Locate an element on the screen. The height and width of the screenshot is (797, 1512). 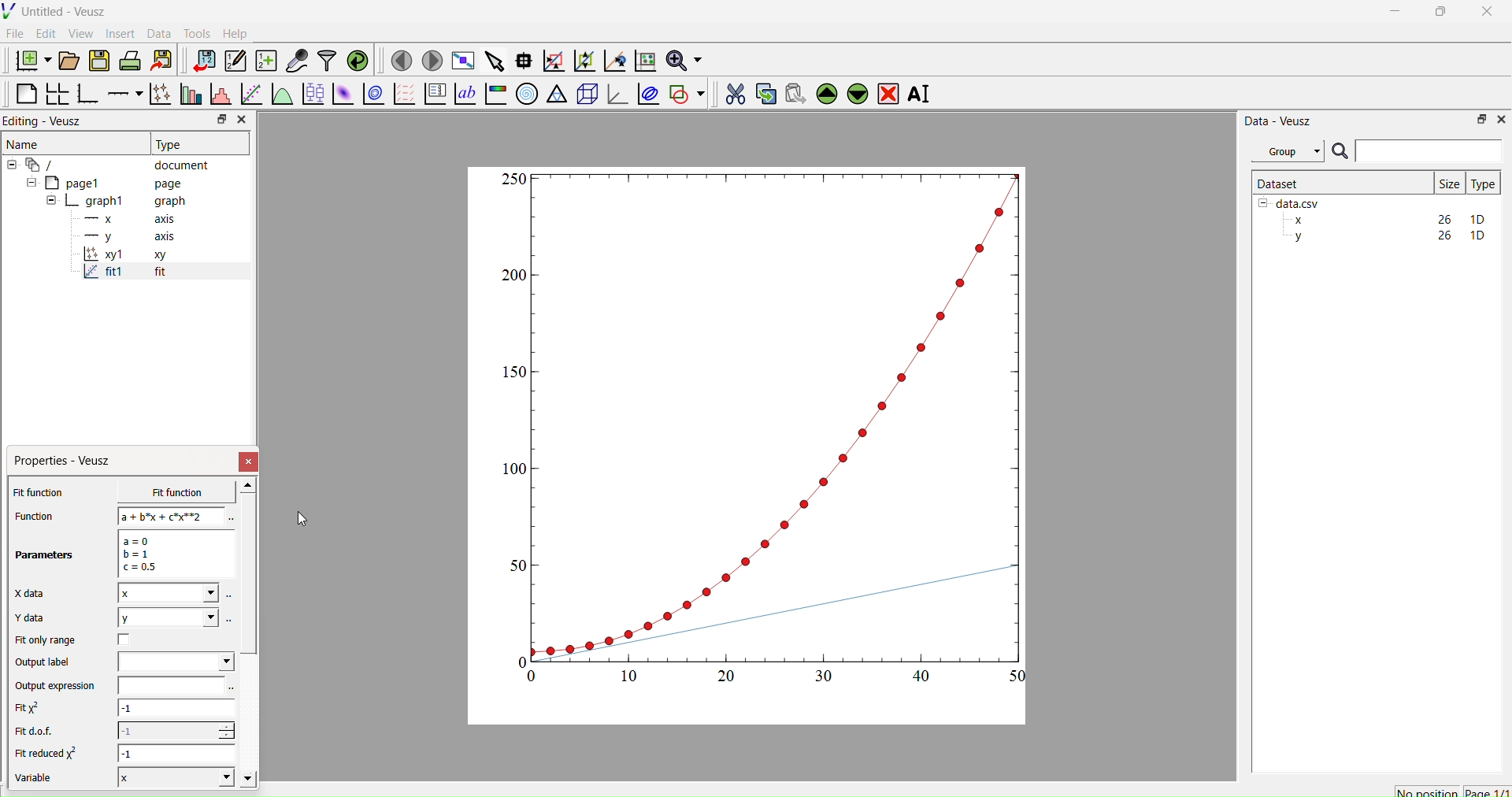
Plot a 2d dataset as contours is located at coordinates (372, 95).